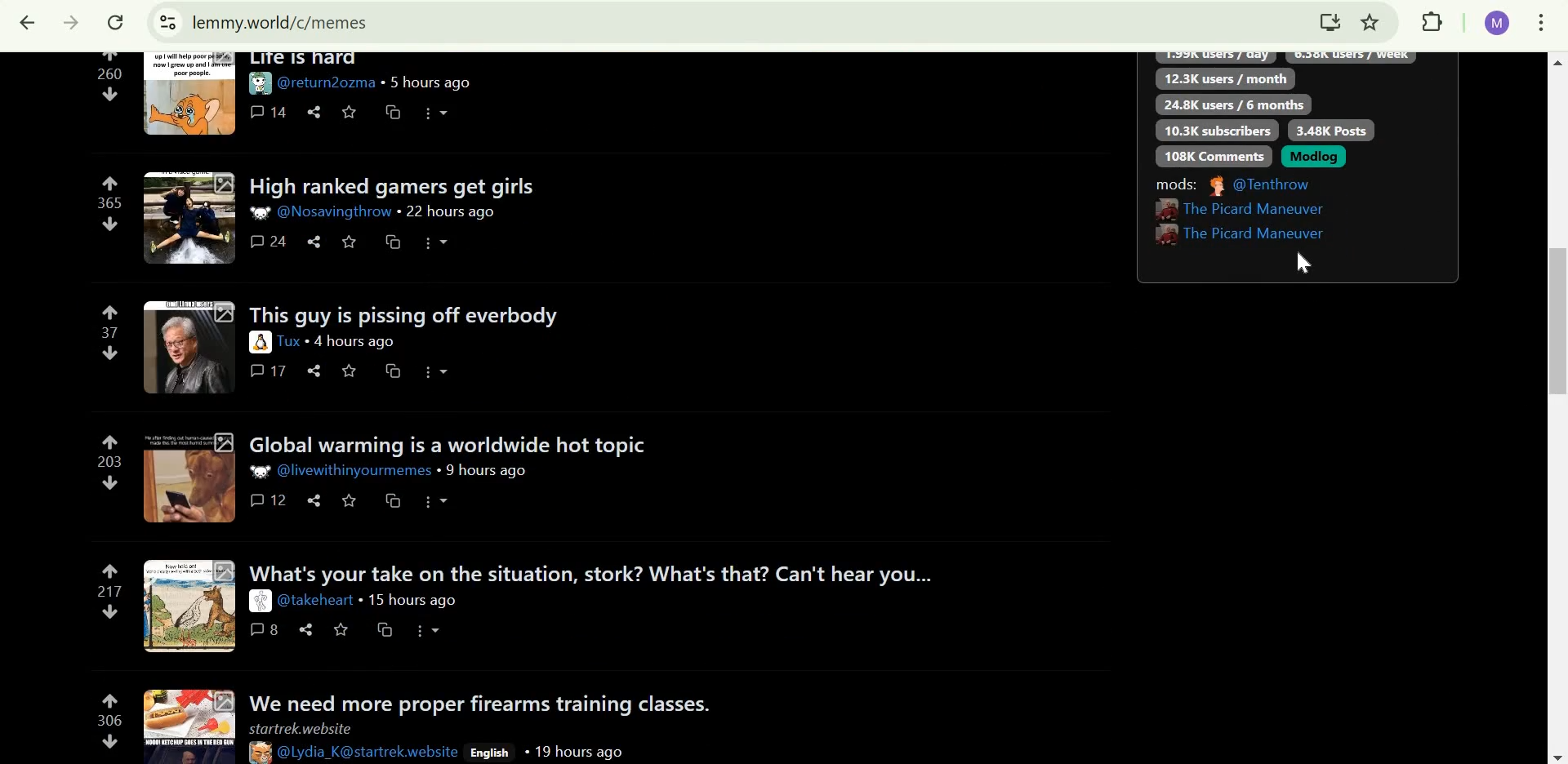  What do you see at coordinates (1312, 264) in the screenshot?
I see `cursor` at bounding box center [1312, 264].